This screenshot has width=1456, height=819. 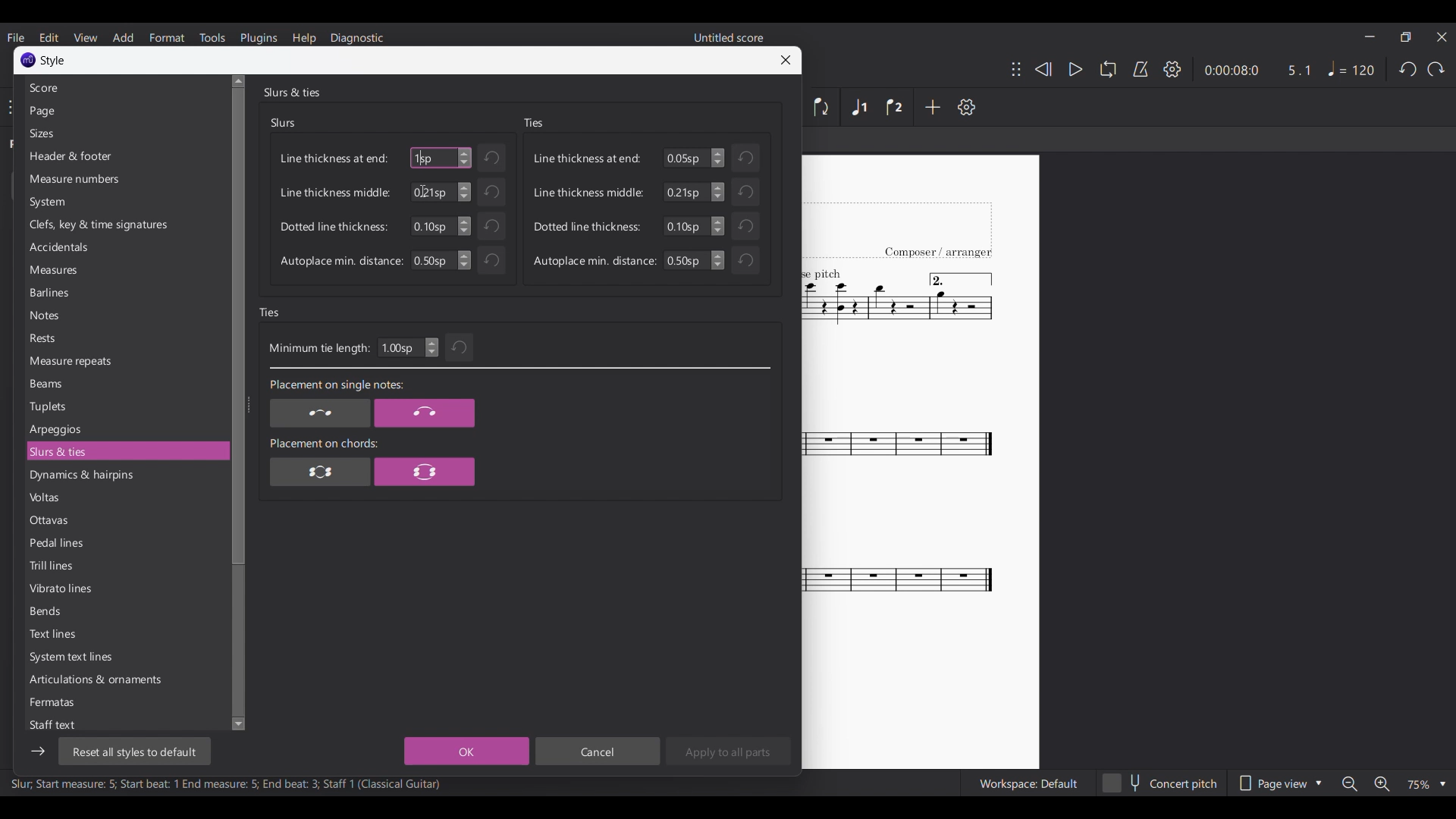 I want to click on View menu, so click(x=86, y=37).